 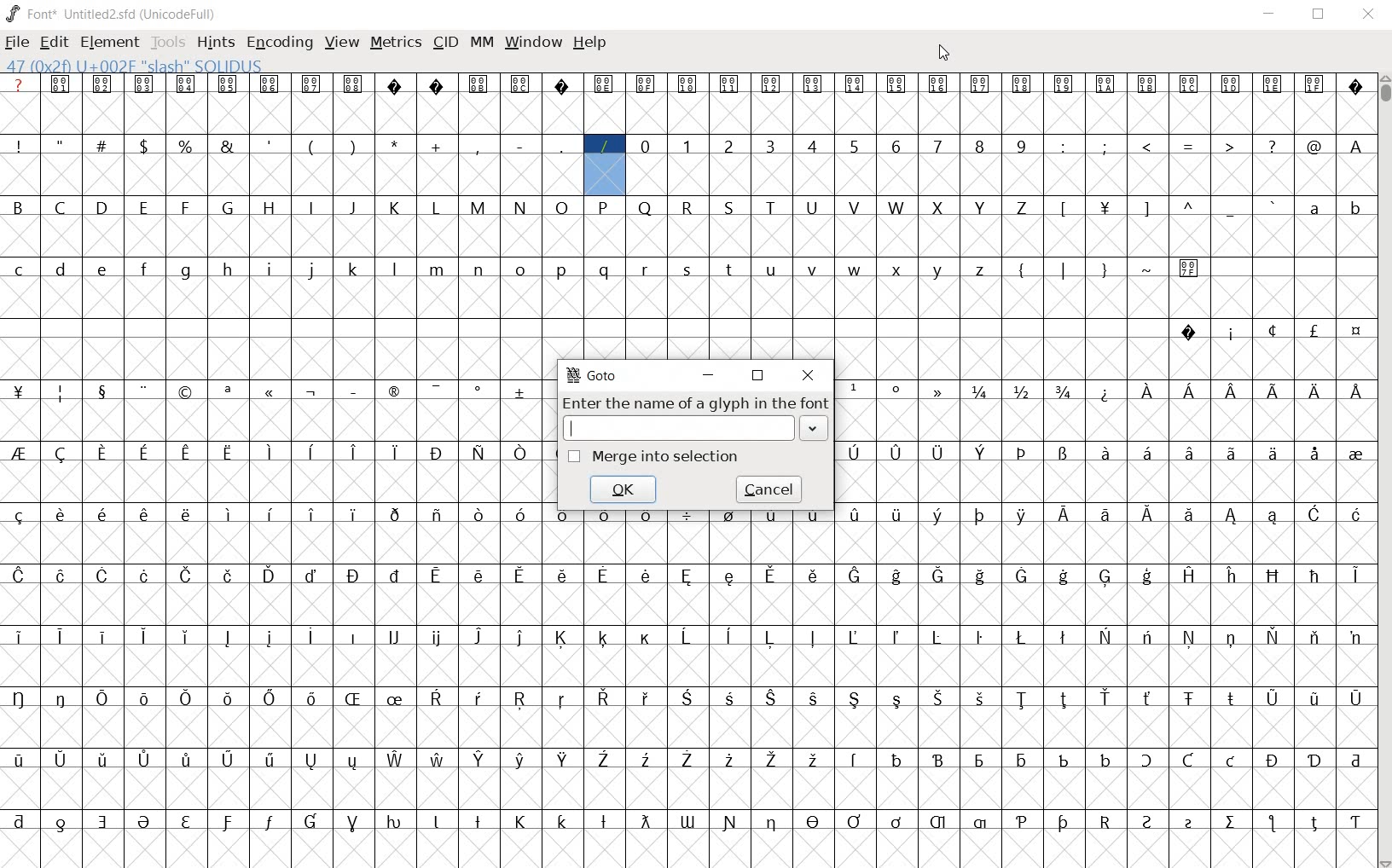 What do you see at coordinates (311, 452) in the screenshot?
I see `glyph` at bounding box center [311, 452].